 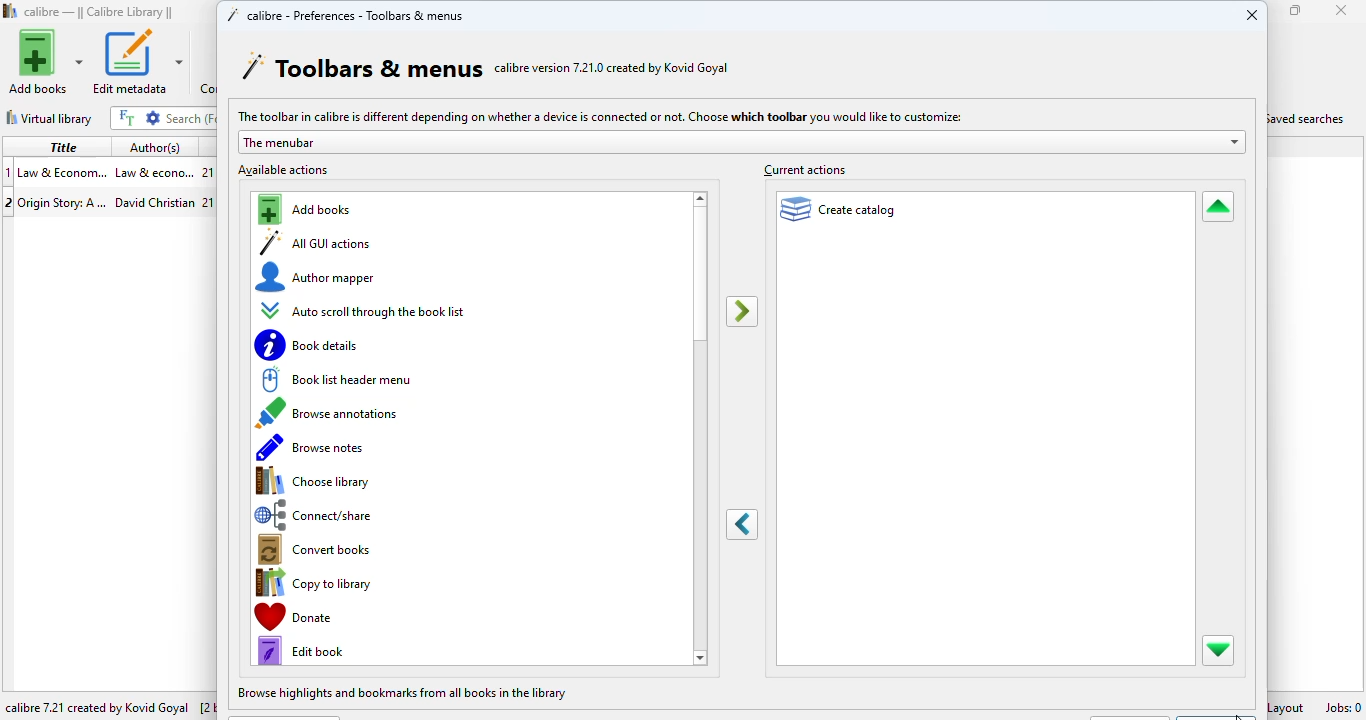 What do you see at coordinates (107, 200) in the screenshot?
I see `book 2` at bounding box center [107, 200].